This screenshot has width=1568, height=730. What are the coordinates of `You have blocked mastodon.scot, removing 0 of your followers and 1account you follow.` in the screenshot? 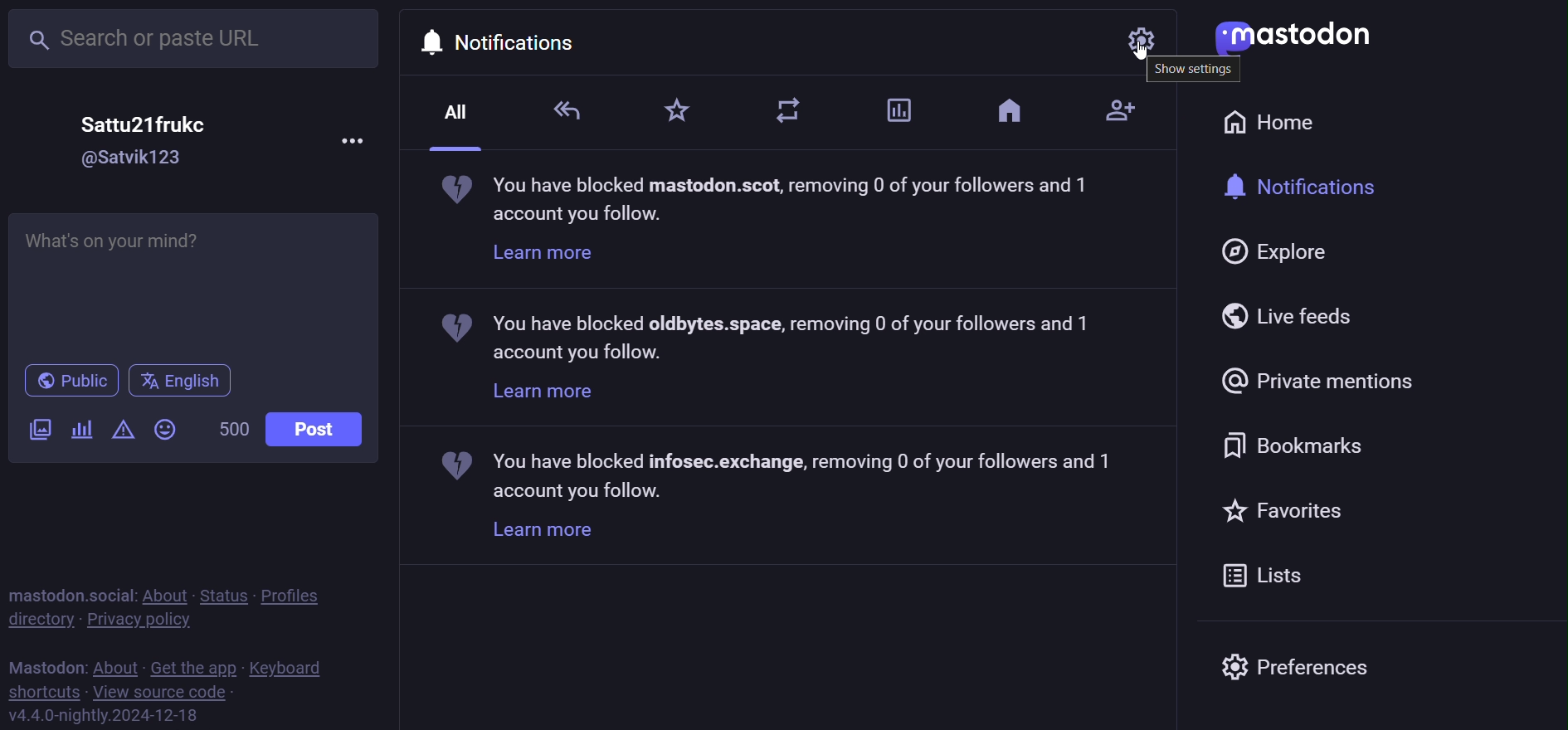 It's located at (772, 200).